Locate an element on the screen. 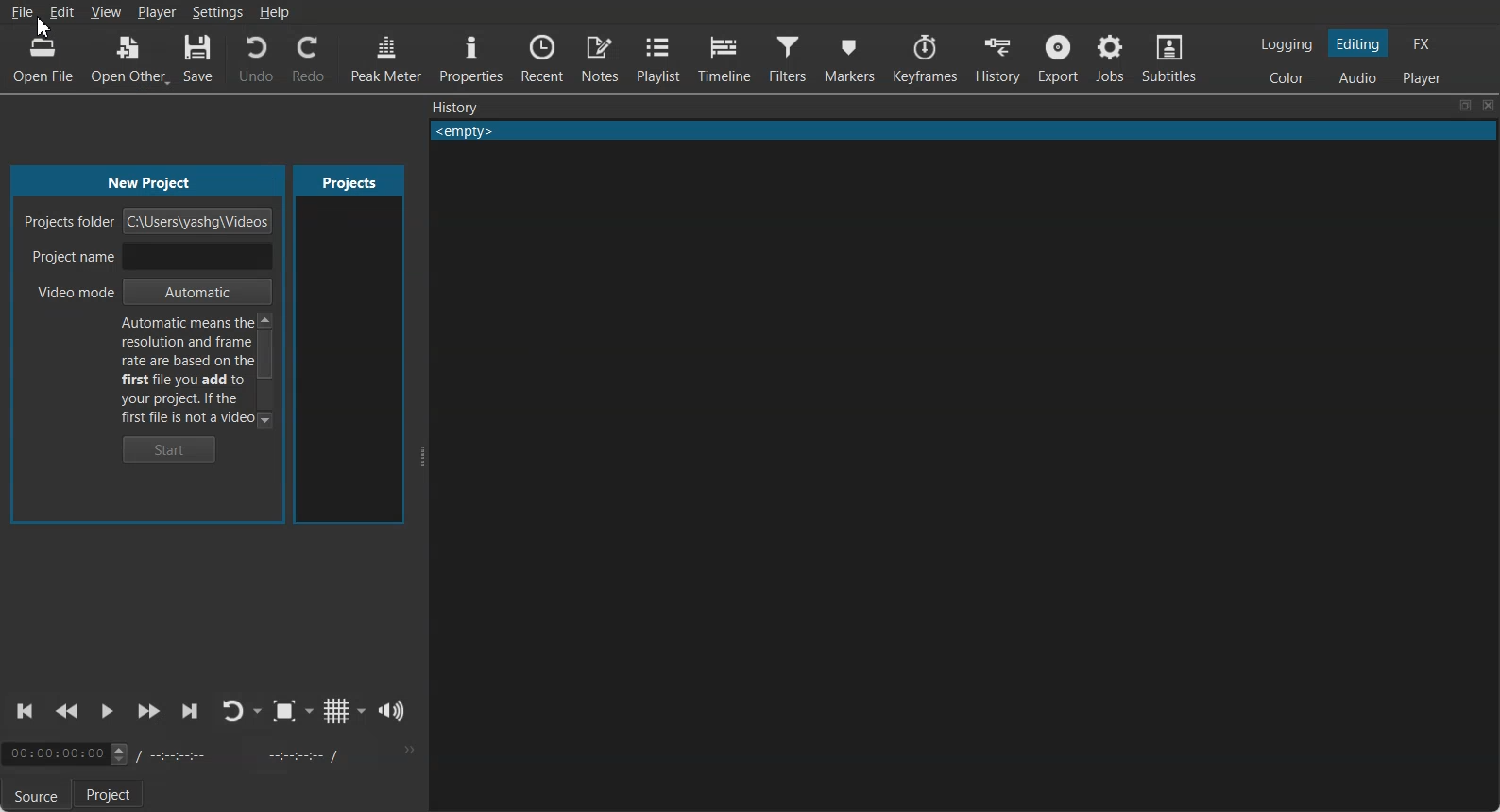 The image size is (1500, 812). Projects is located at coordinates (349, 180).